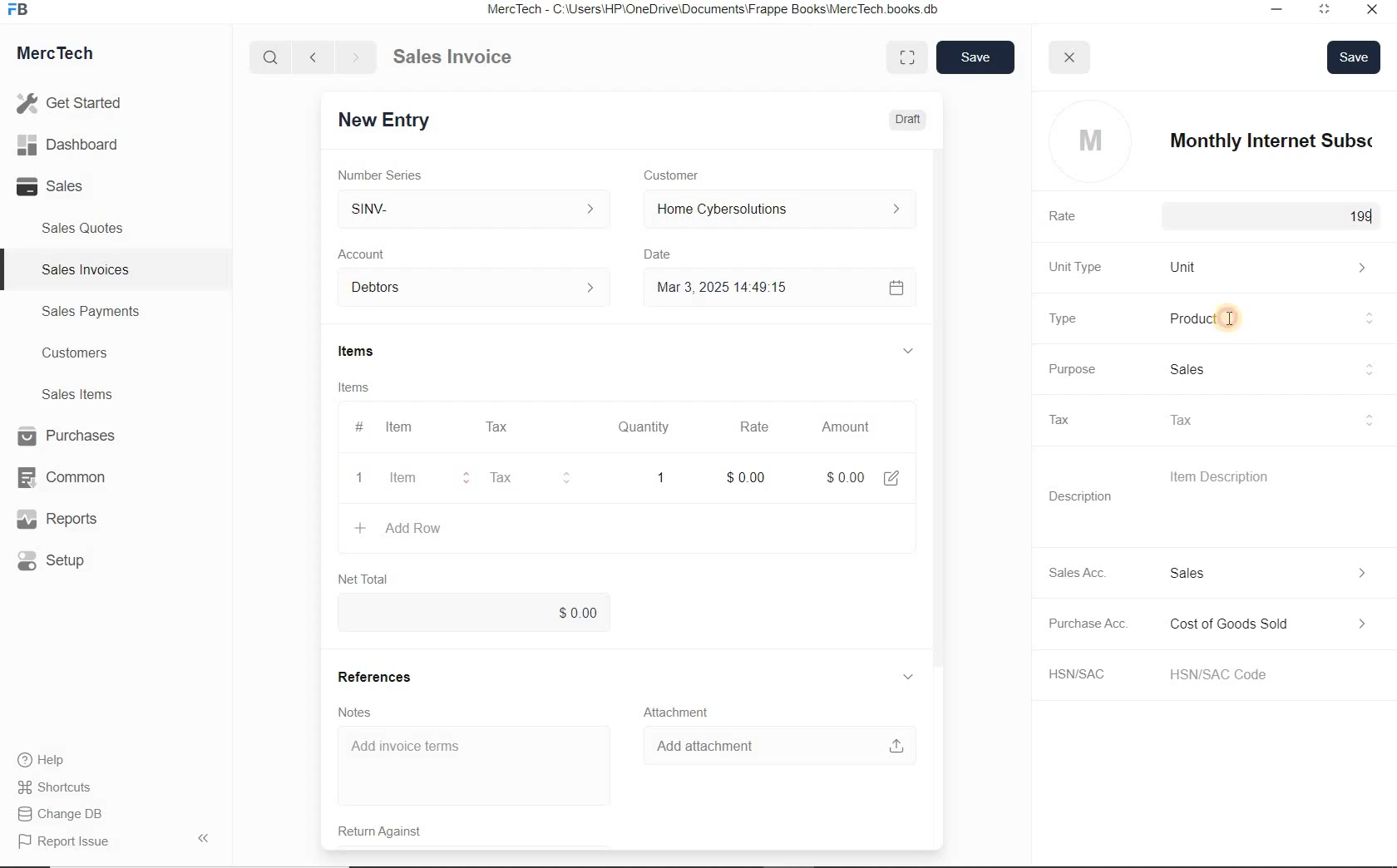 Image resolution: width=1397 pixels, height=868 pixels. Describe the element at coordinates (1089, 142) in the screenshot. I see `profile logo` at that location.